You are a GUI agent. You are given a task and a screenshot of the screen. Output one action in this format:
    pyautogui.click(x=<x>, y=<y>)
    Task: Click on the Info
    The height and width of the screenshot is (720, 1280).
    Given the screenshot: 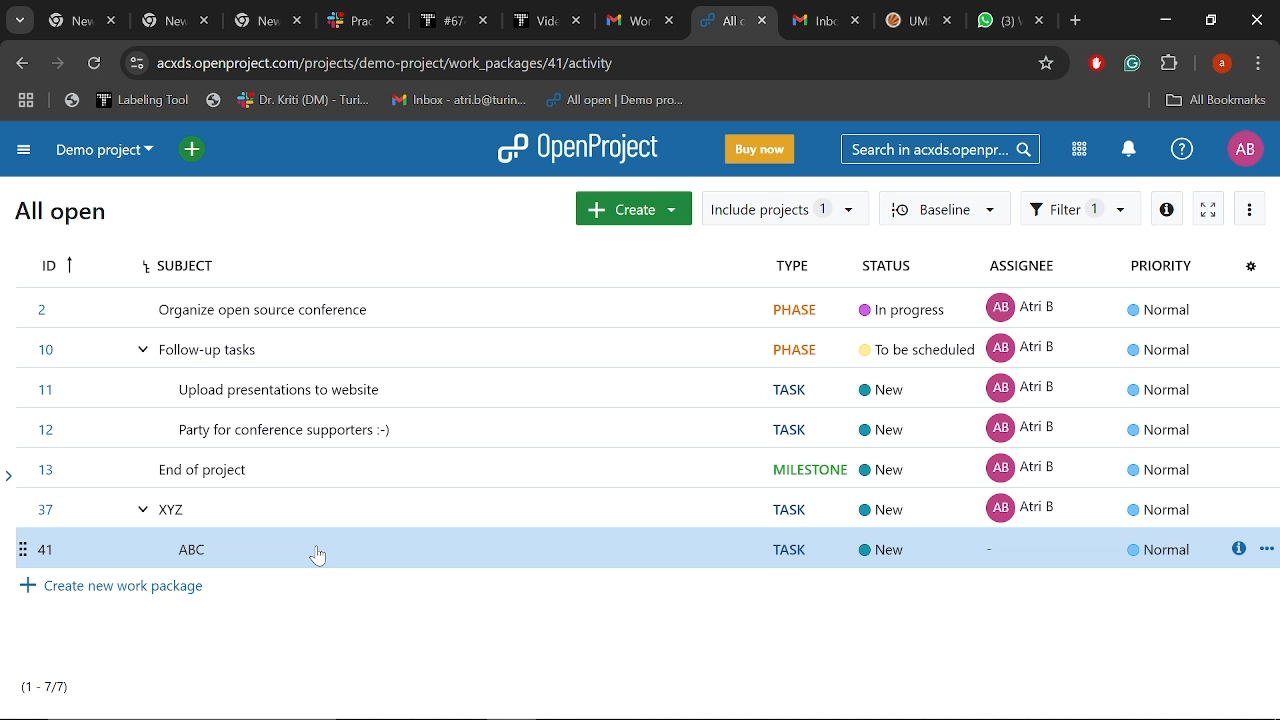 What is the action you would take?
    pyautogui.click(x=1165, y=208)
    